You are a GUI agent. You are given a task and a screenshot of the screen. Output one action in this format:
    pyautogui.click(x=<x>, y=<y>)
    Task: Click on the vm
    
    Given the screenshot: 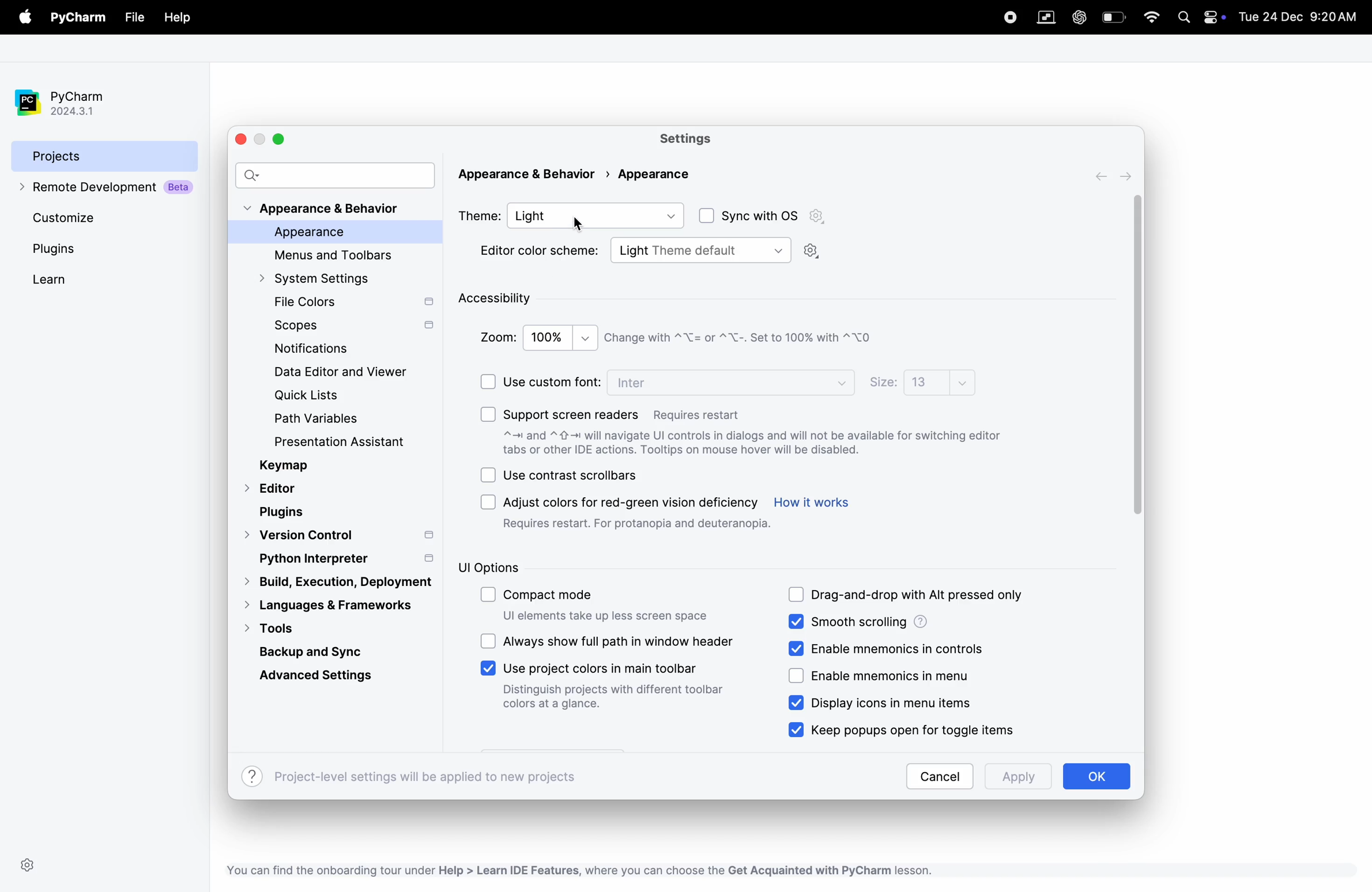 What is the action you would take?
    pyautogui.click(x=1046, y=18)
    